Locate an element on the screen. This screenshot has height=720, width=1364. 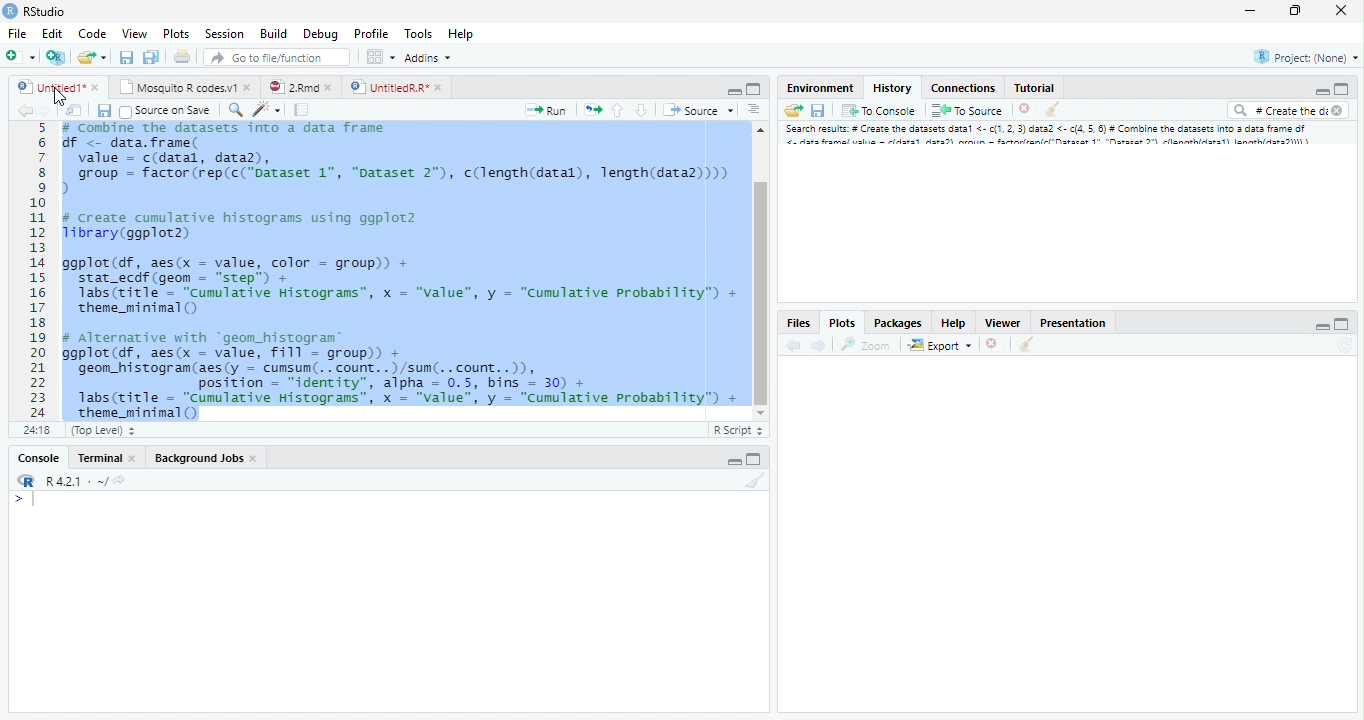
Source on Save is located at coordinates (165, 112).